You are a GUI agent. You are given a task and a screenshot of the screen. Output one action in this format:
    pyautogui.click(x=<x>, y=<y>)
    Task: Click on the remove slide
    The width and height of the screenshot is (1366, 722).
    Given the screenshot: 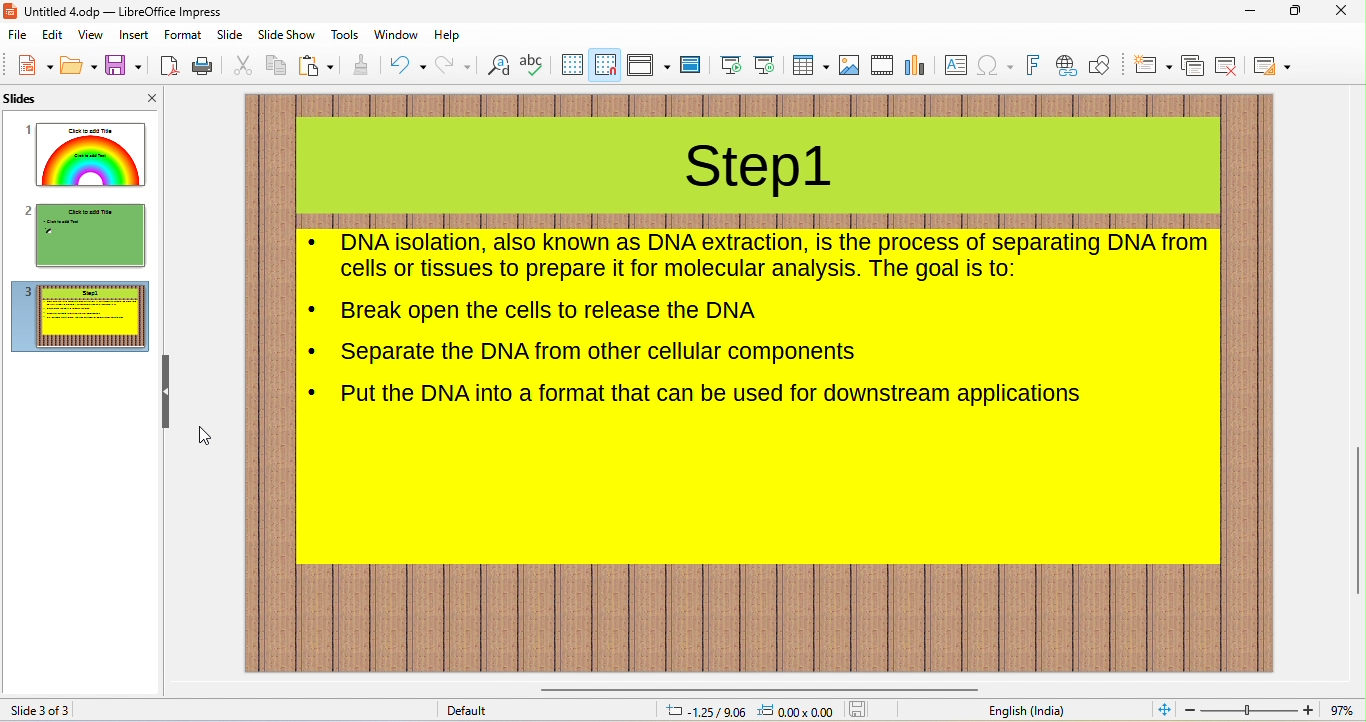 What is the action you would take?
    pyautogui.click(x=1228, y=66)
    